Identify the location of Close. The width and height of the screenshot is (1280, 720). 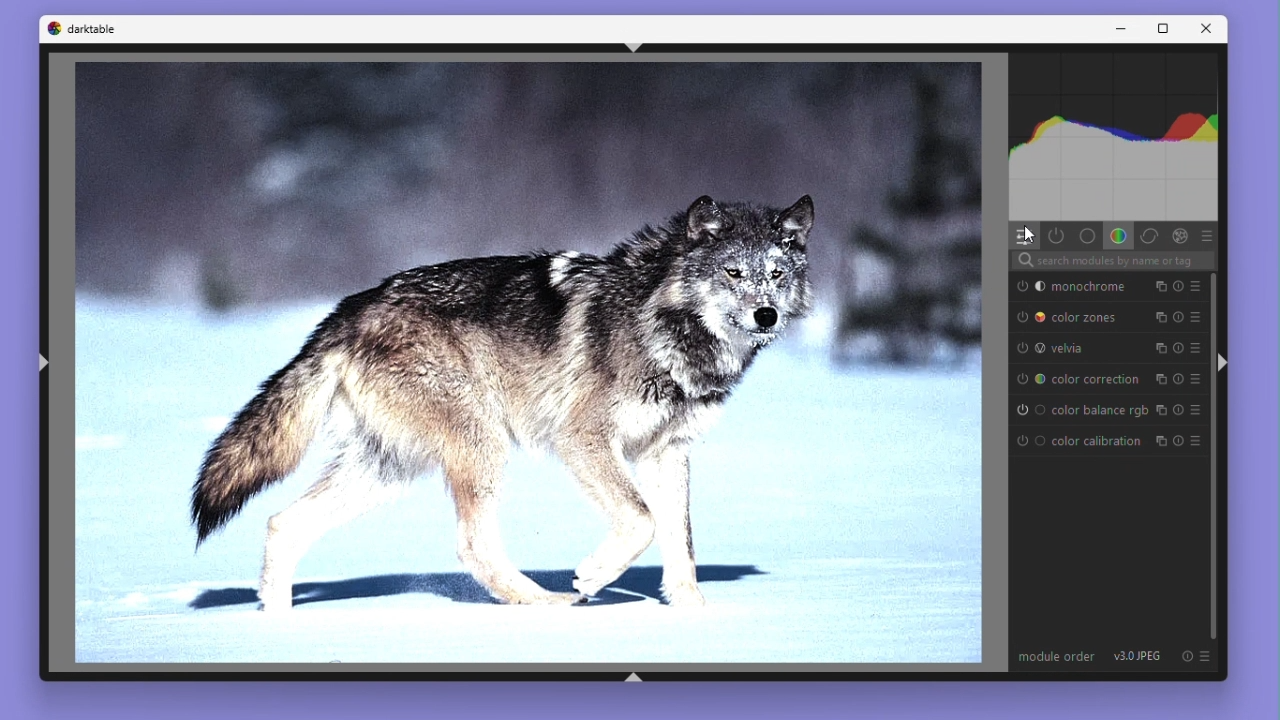
(1205, 30).